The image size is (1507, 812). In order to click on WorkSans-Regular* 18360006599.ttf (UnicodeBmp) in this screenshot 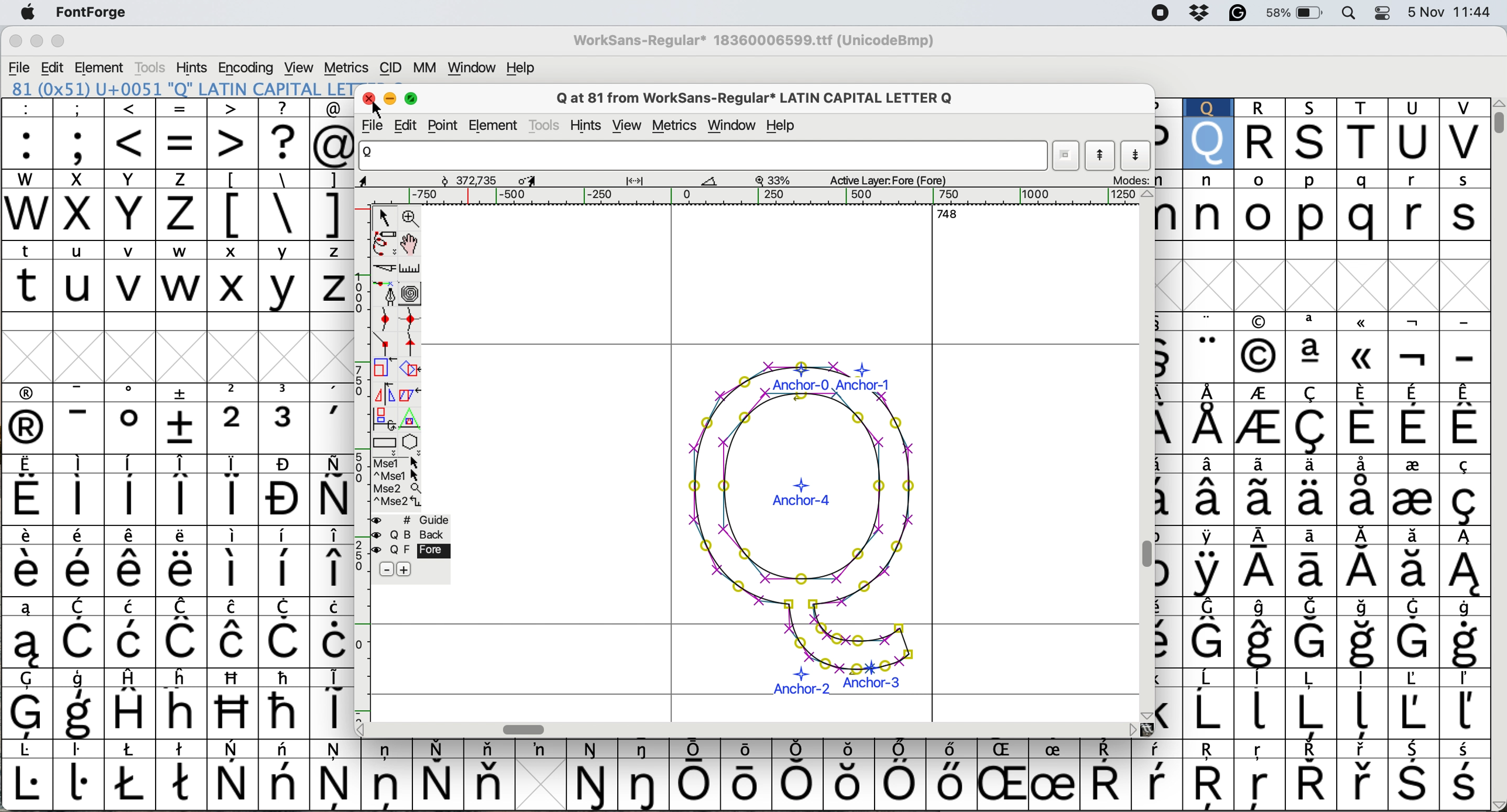, I will do `click(758, 39)`.